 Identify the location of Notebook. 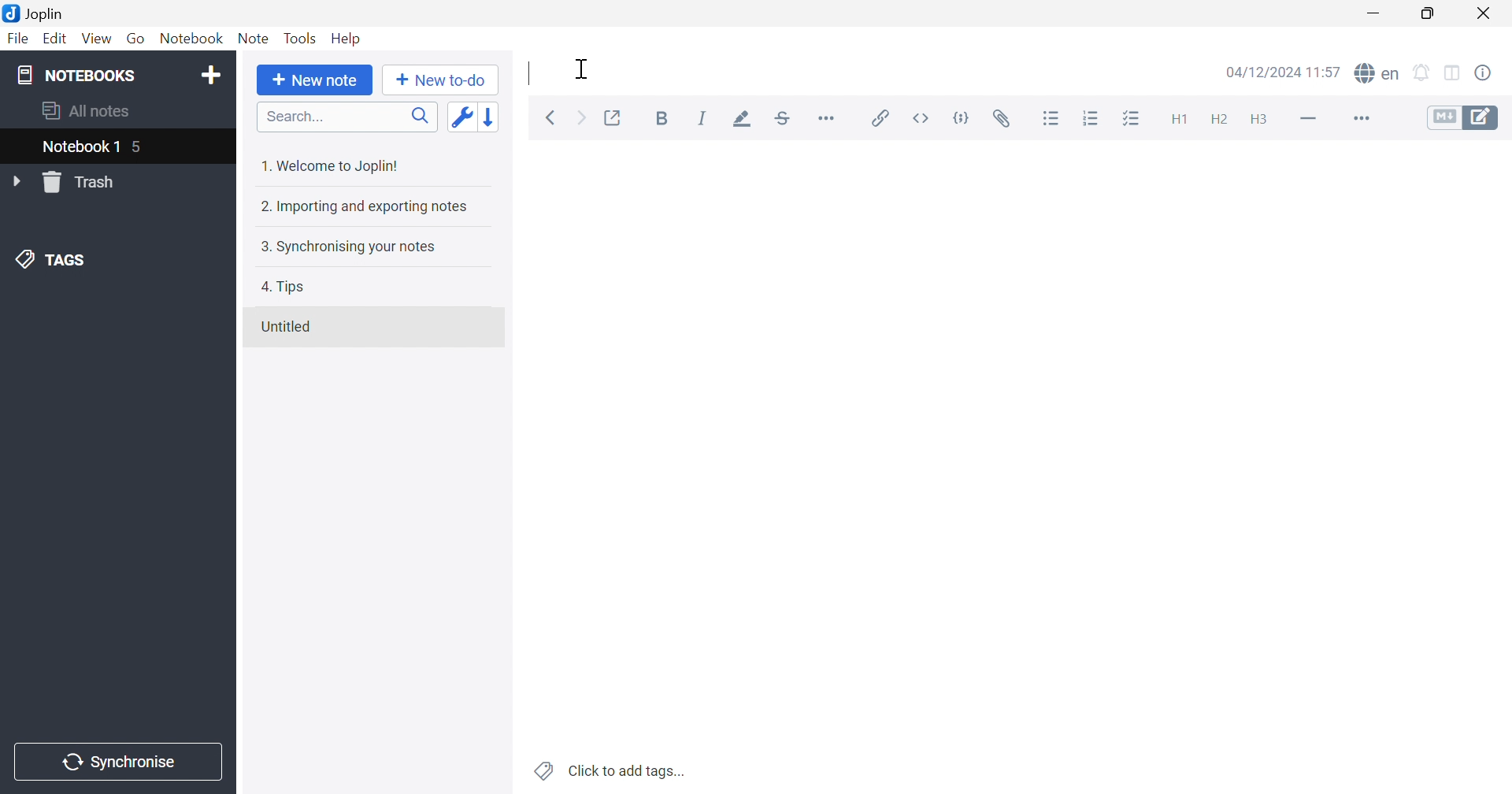
(191, 38).